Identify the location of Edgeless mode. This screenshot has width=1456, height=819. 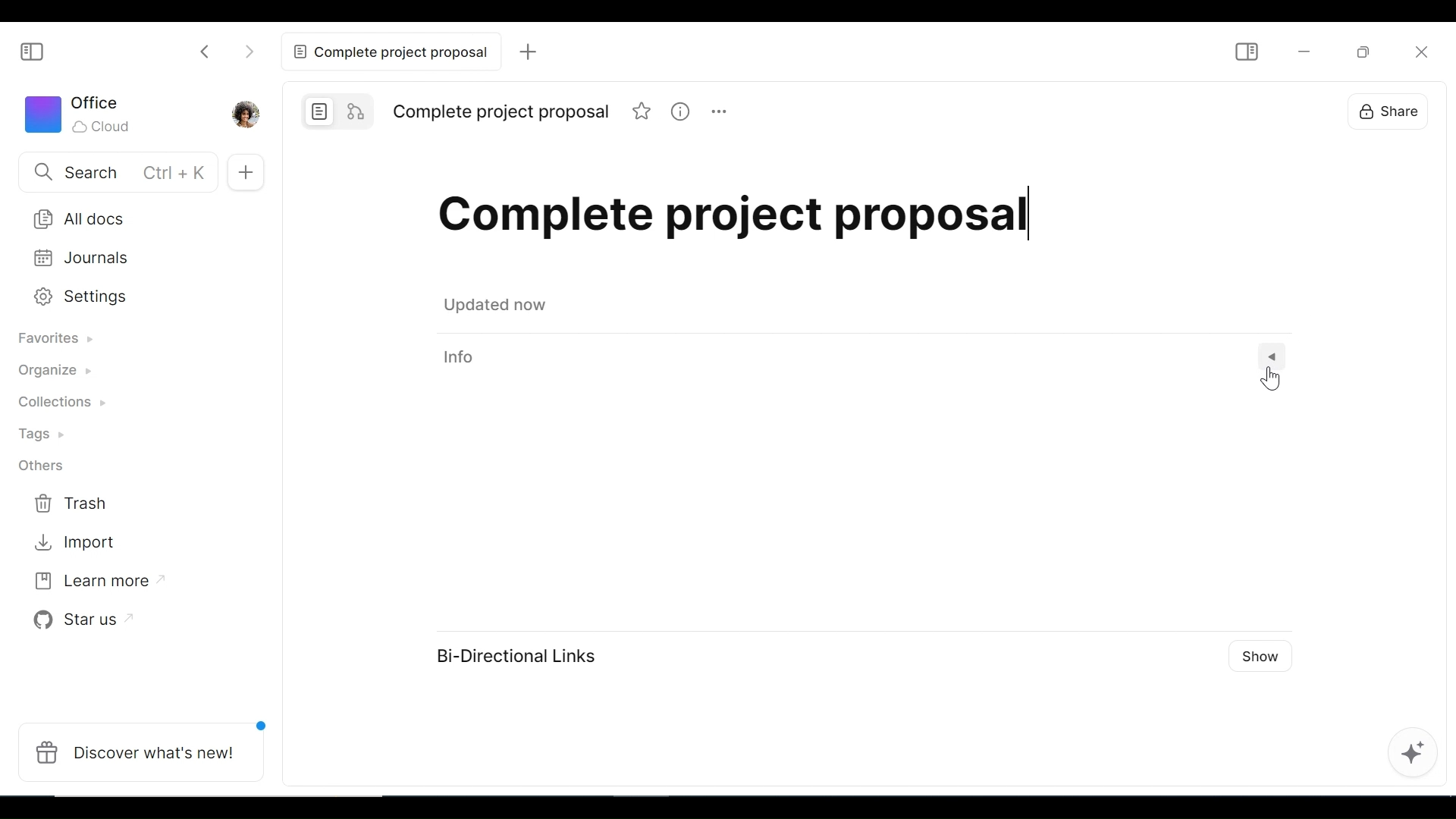
(359, 111).